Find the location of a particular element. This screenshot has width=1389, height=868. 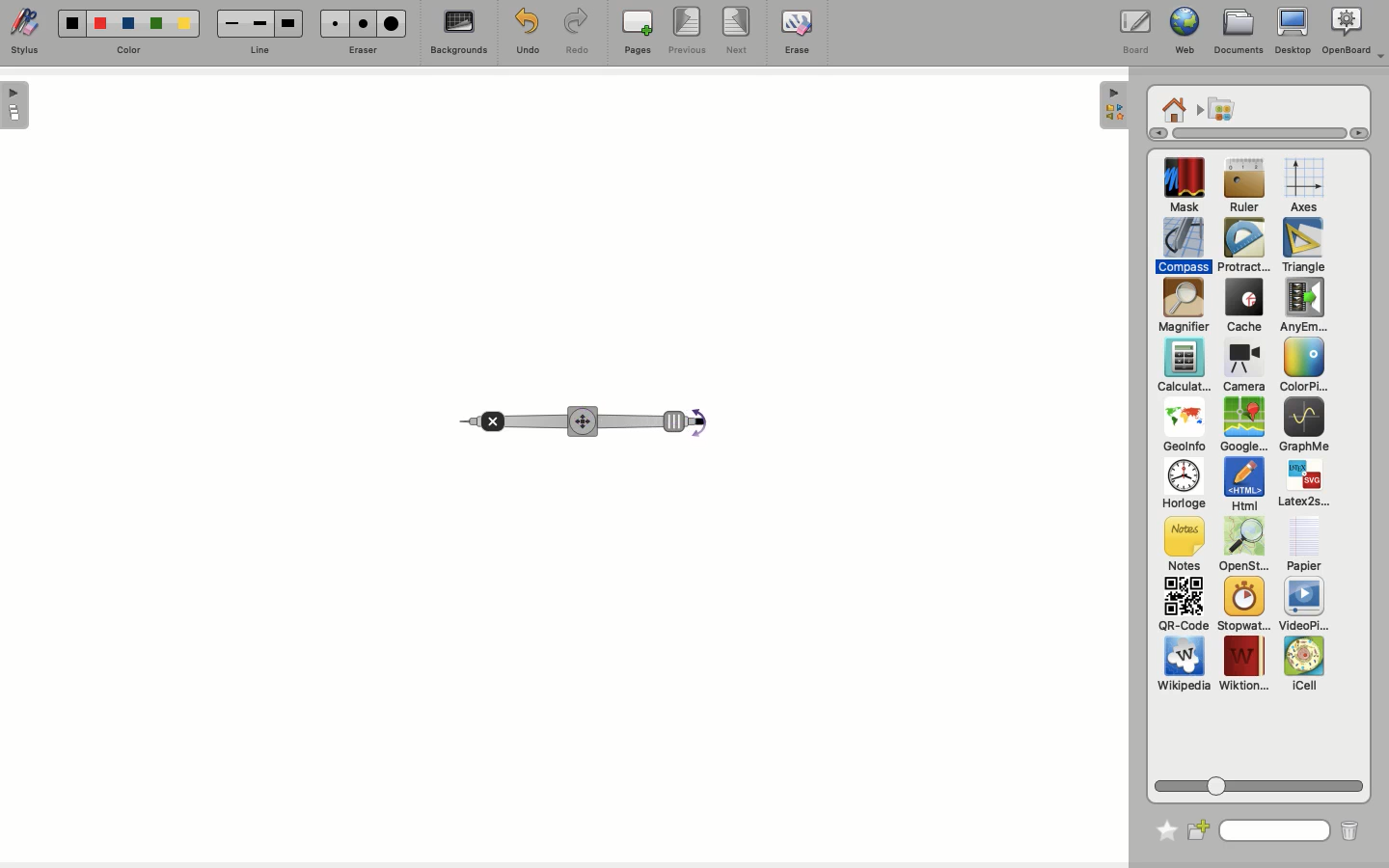

Calculator is located at coordinates (1184, 366).